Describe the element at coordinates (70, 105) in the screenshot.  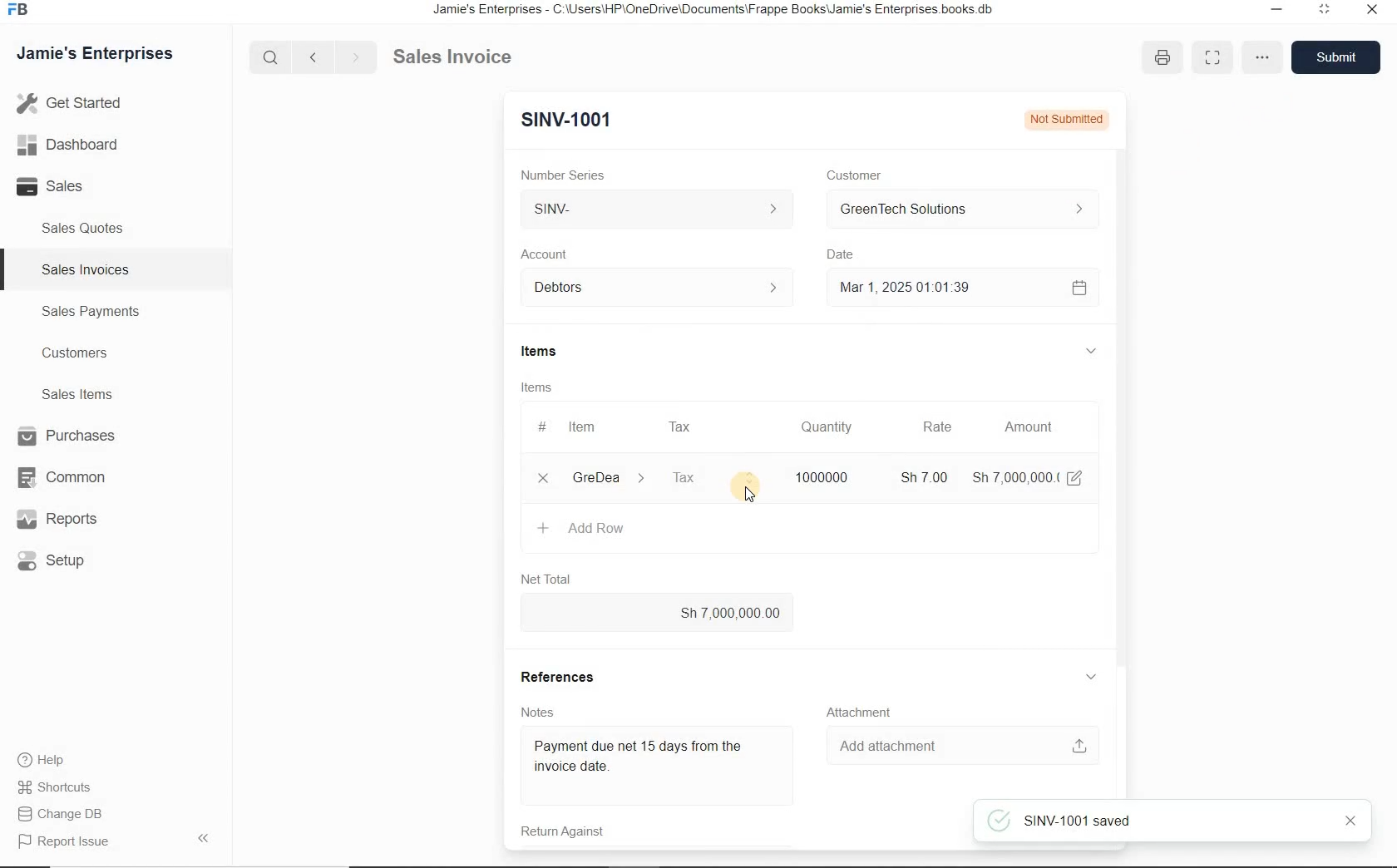
I see `Get Started` at that location.